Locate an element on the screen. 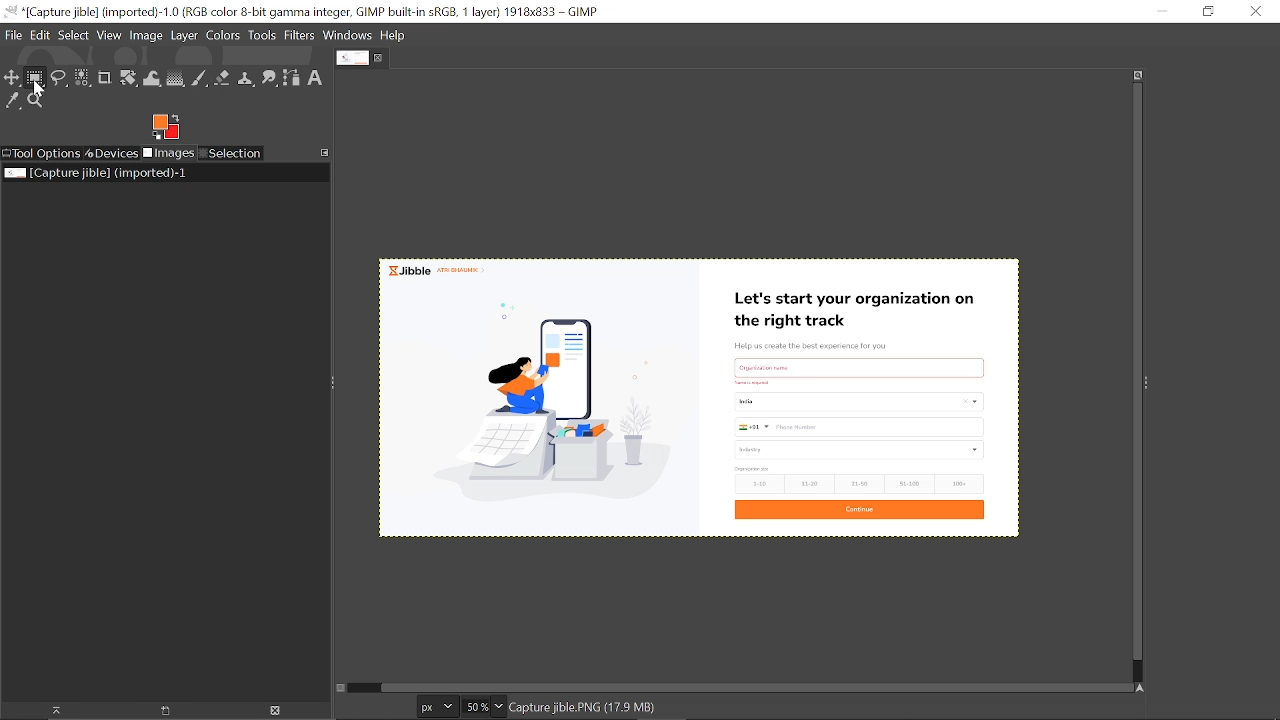  Zoom tool is located at coordinates (37, 102).